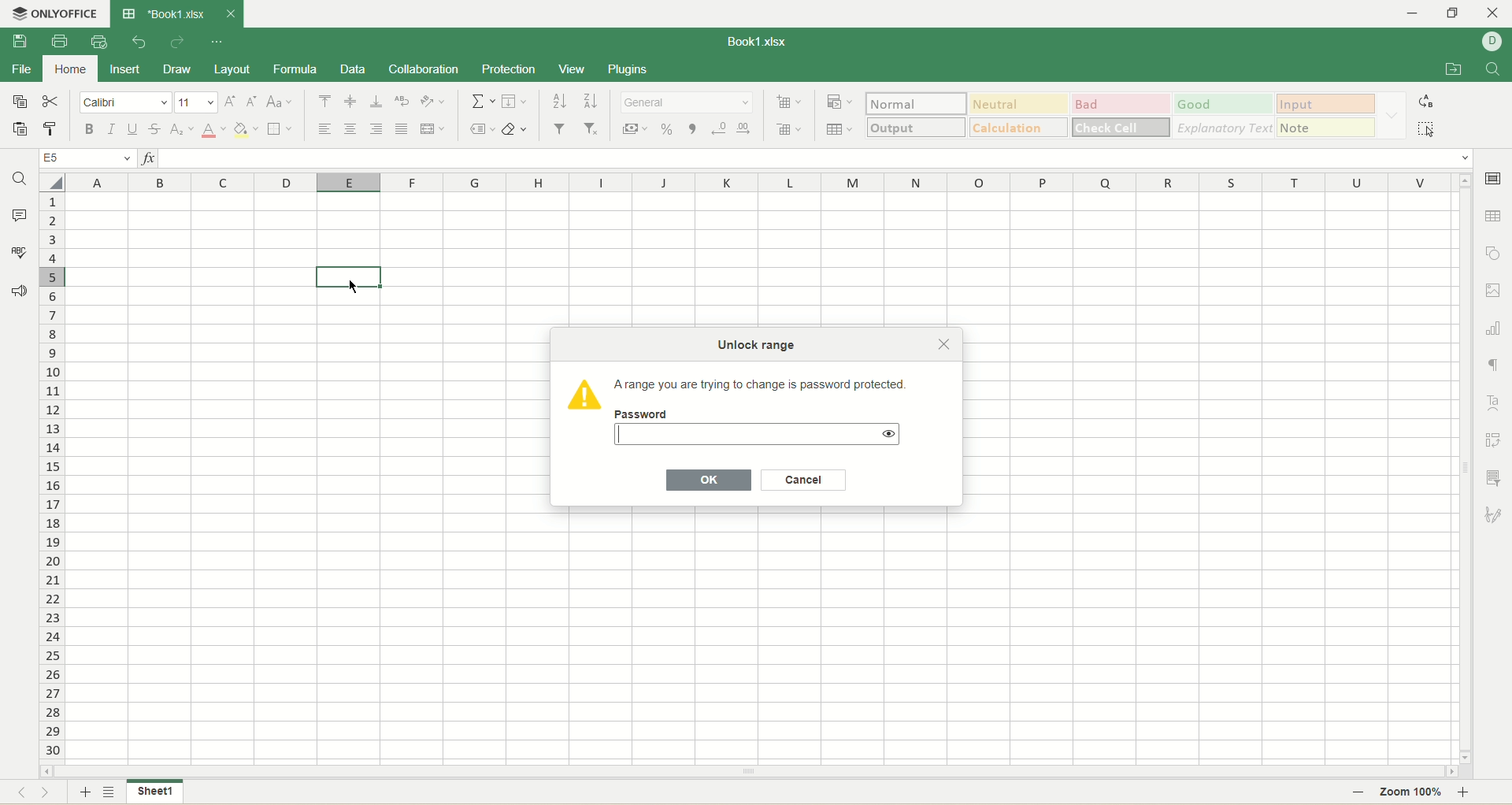 The height and width of the screenshot is (805, 1512). Describe the element at coordinates (156, 130) in the screenshot. I see `strikethrough` at that location.